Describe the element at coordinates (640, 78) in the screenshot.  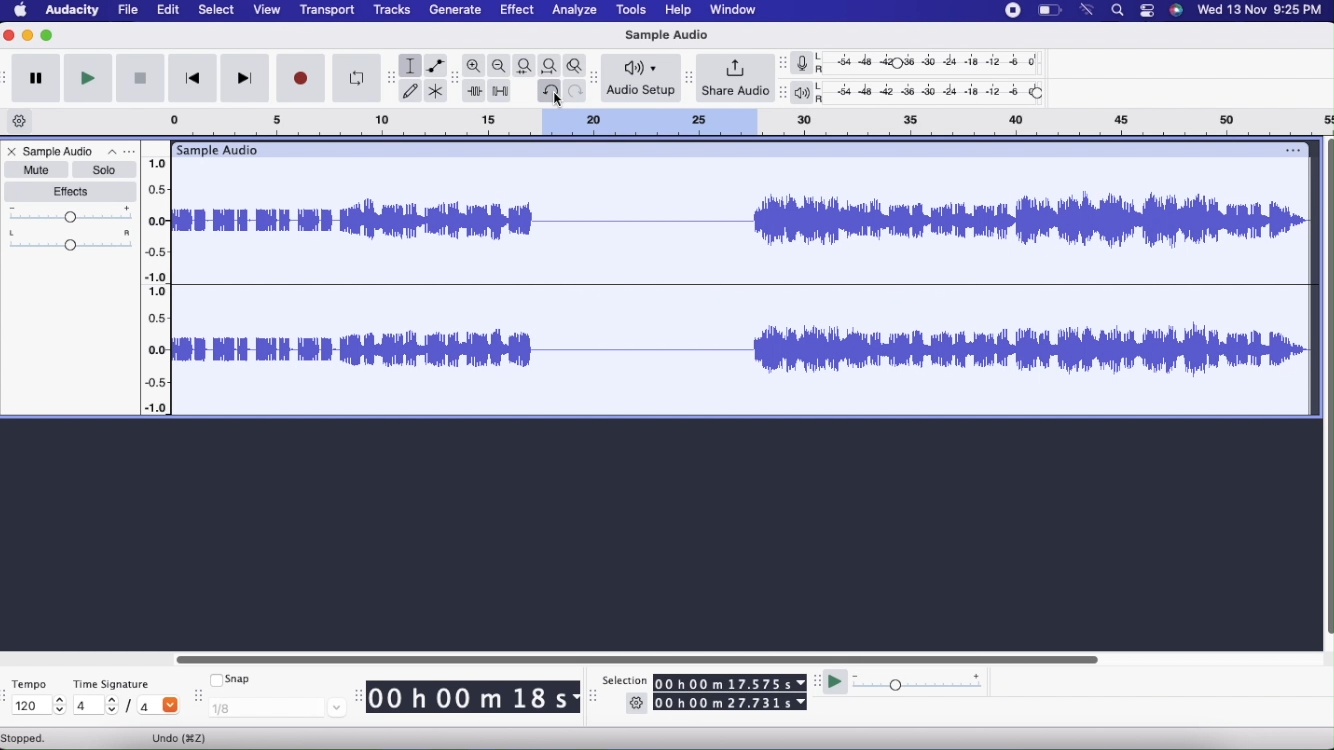
I see `Audio setup` at that location.